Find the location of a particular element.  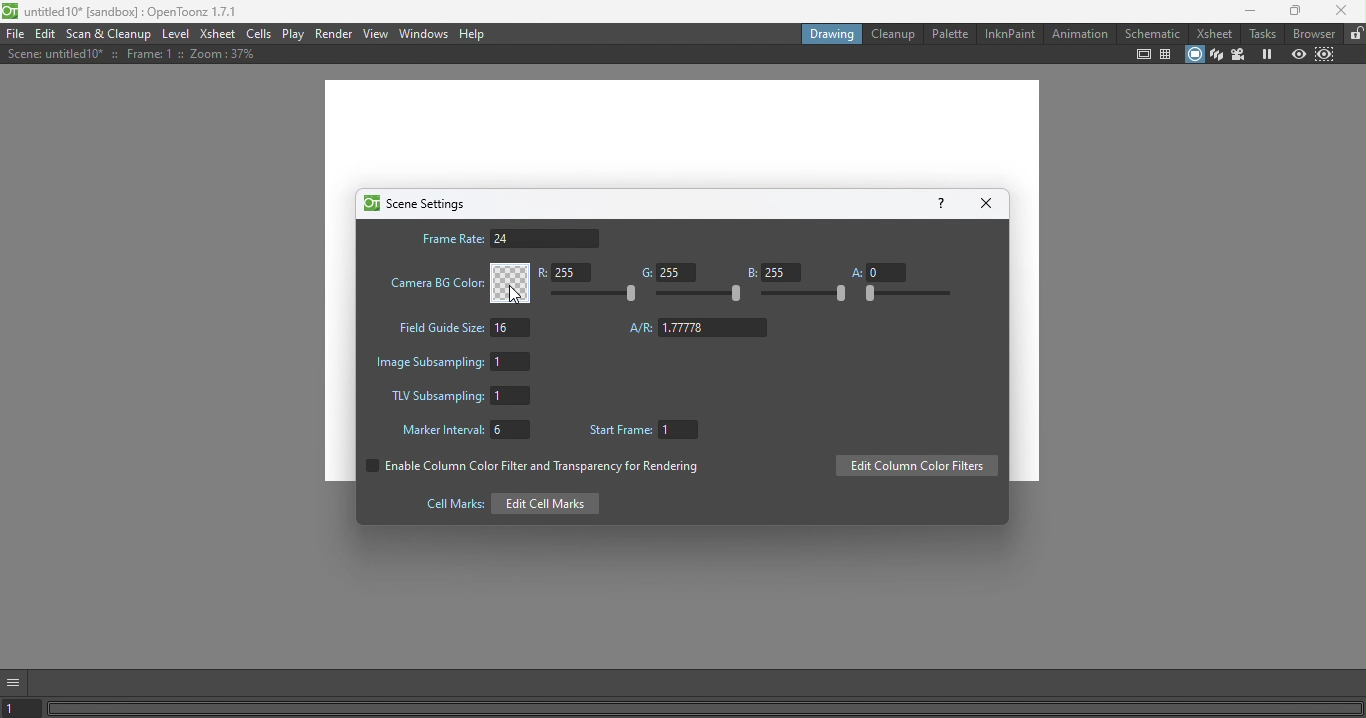

TLV Subsampling is located at coordinates (460, 397).